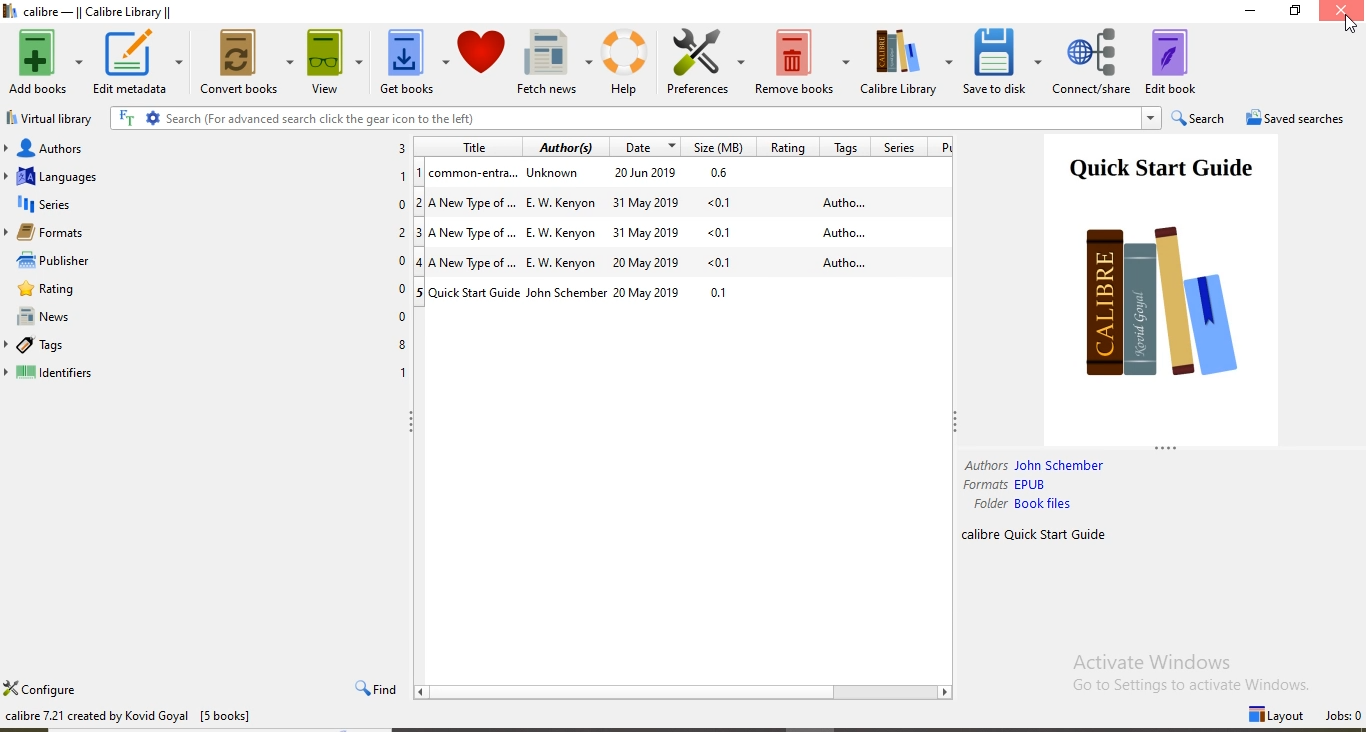 Image resolution: width=1366 pixels, height=732 pixels. What do you see at coordinates (413, 62) in the screenshot?
I see `Get books` at bounding box center [413, 62].